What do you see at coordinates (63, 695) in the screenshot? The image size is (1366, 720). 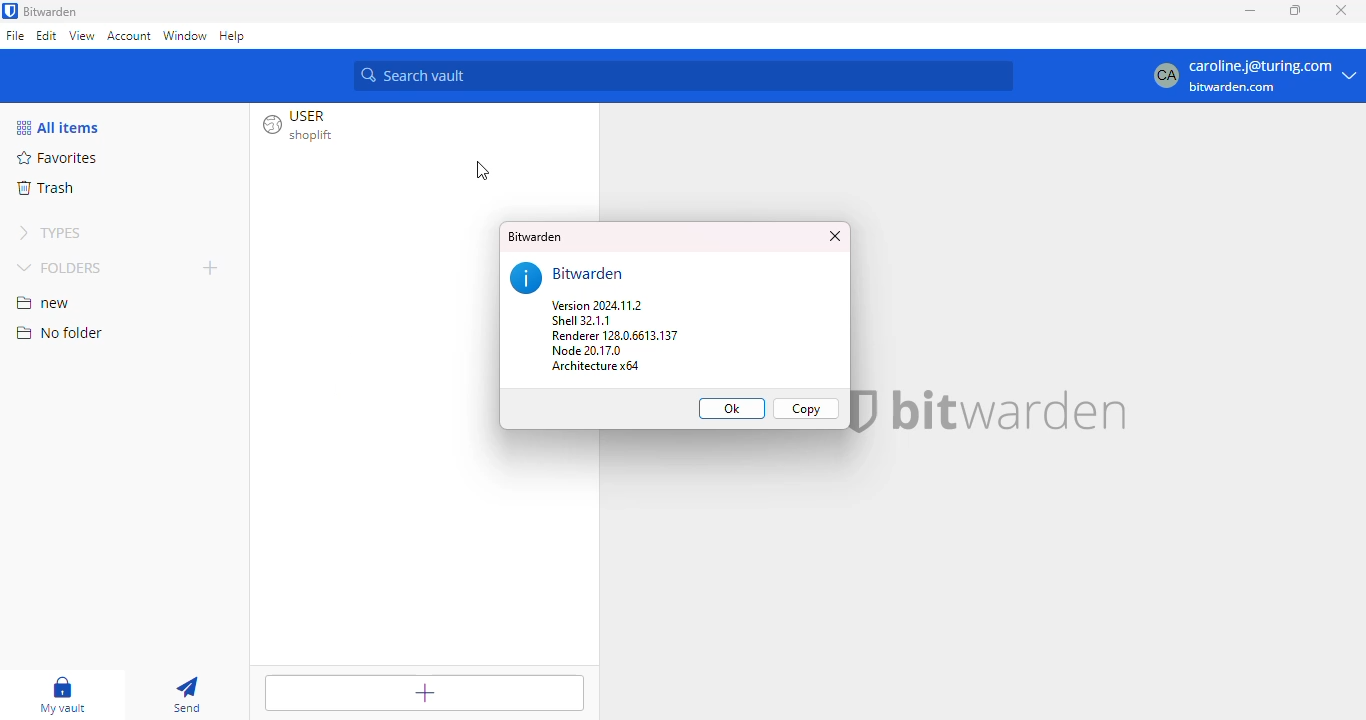 I see `my vault` at bounding box center [63, 695].